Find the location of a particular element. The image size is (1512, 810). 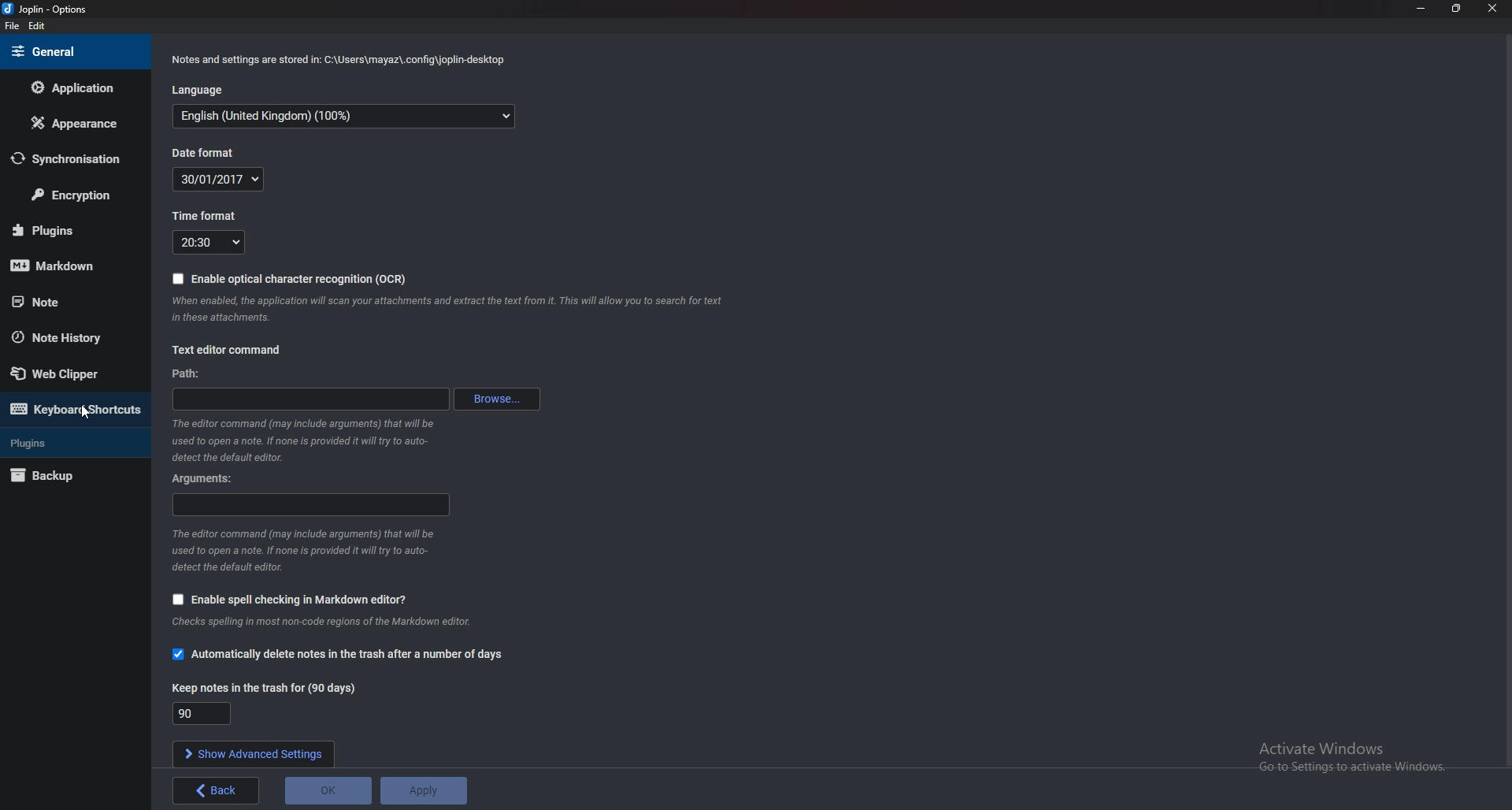

Cursor is located at coordinates (84, 414).